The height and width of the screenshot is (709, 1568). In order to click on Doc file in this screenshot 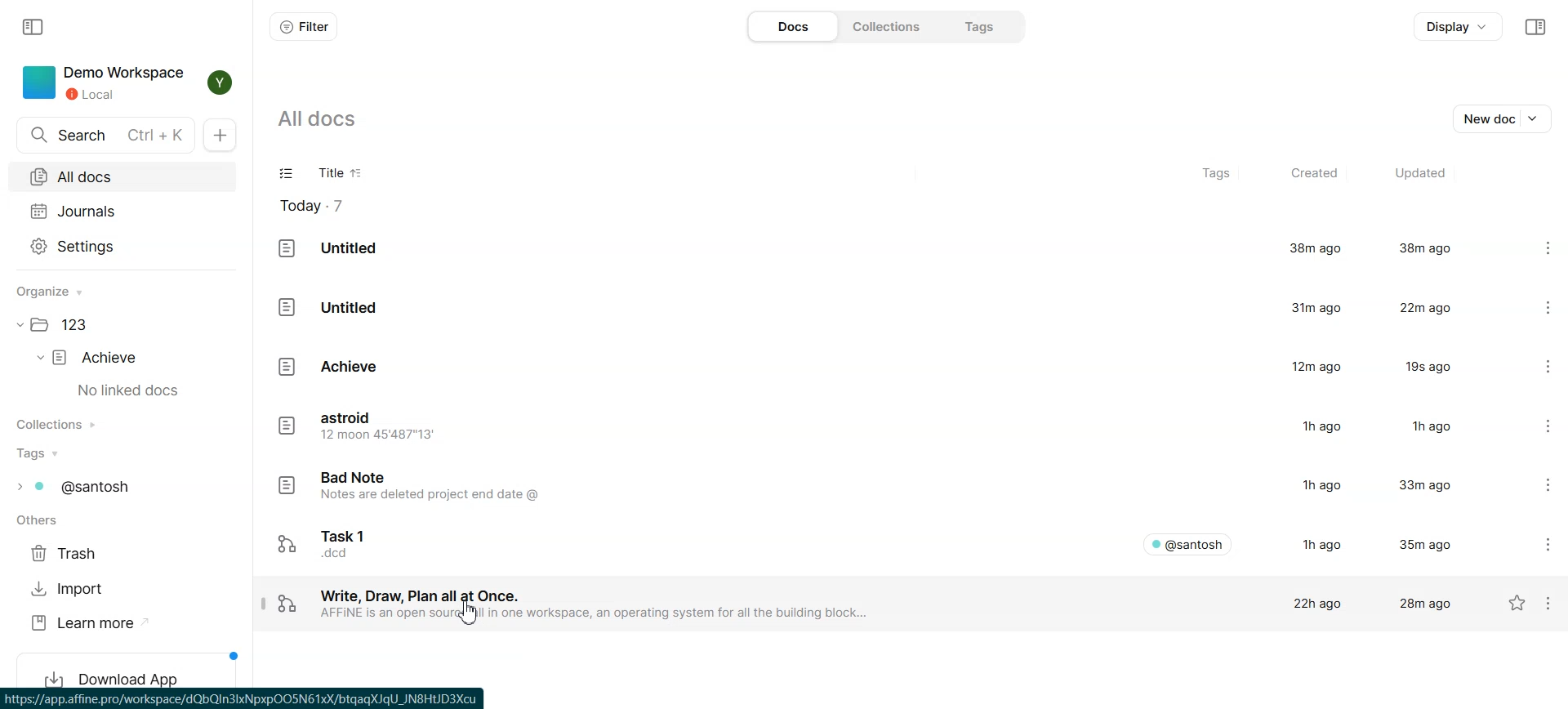, I will do `click(878, 367)`.